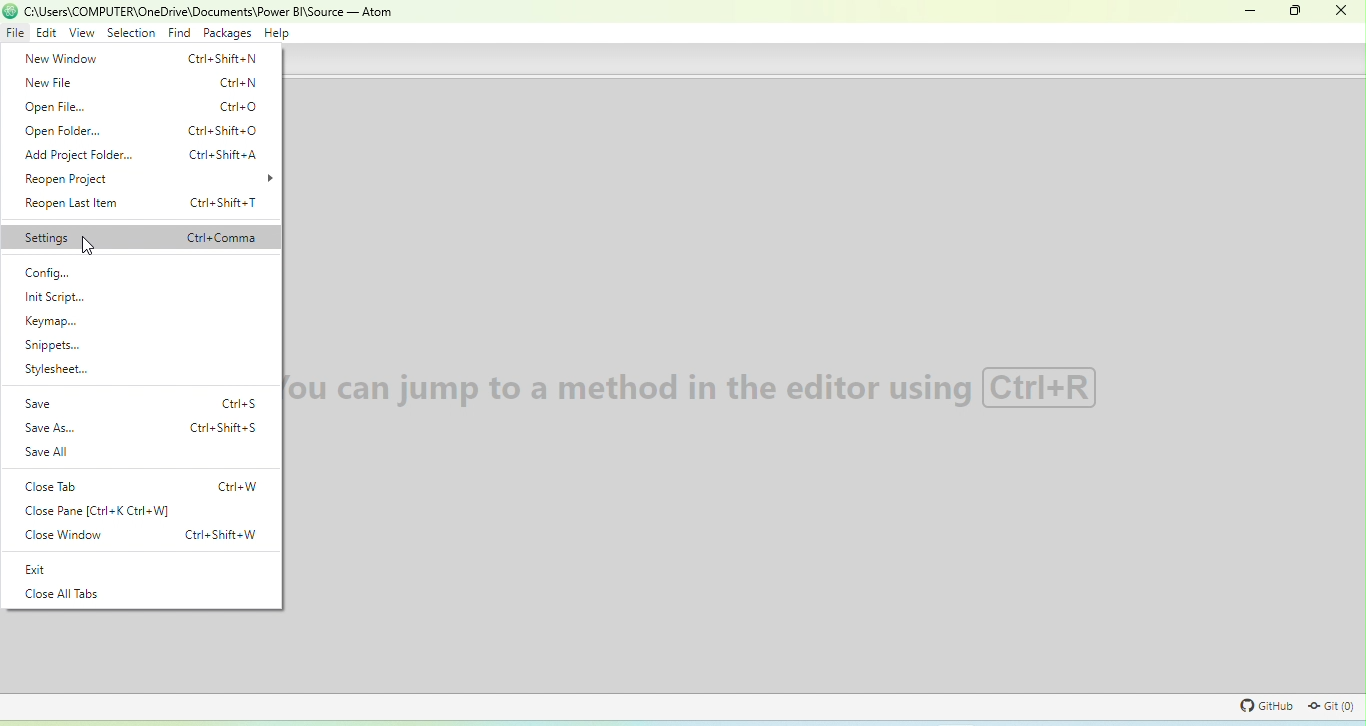  What do you see at coordinates (1251, 11) in the screenshot?
I see `minimize` at bounding box center [1251, 11].